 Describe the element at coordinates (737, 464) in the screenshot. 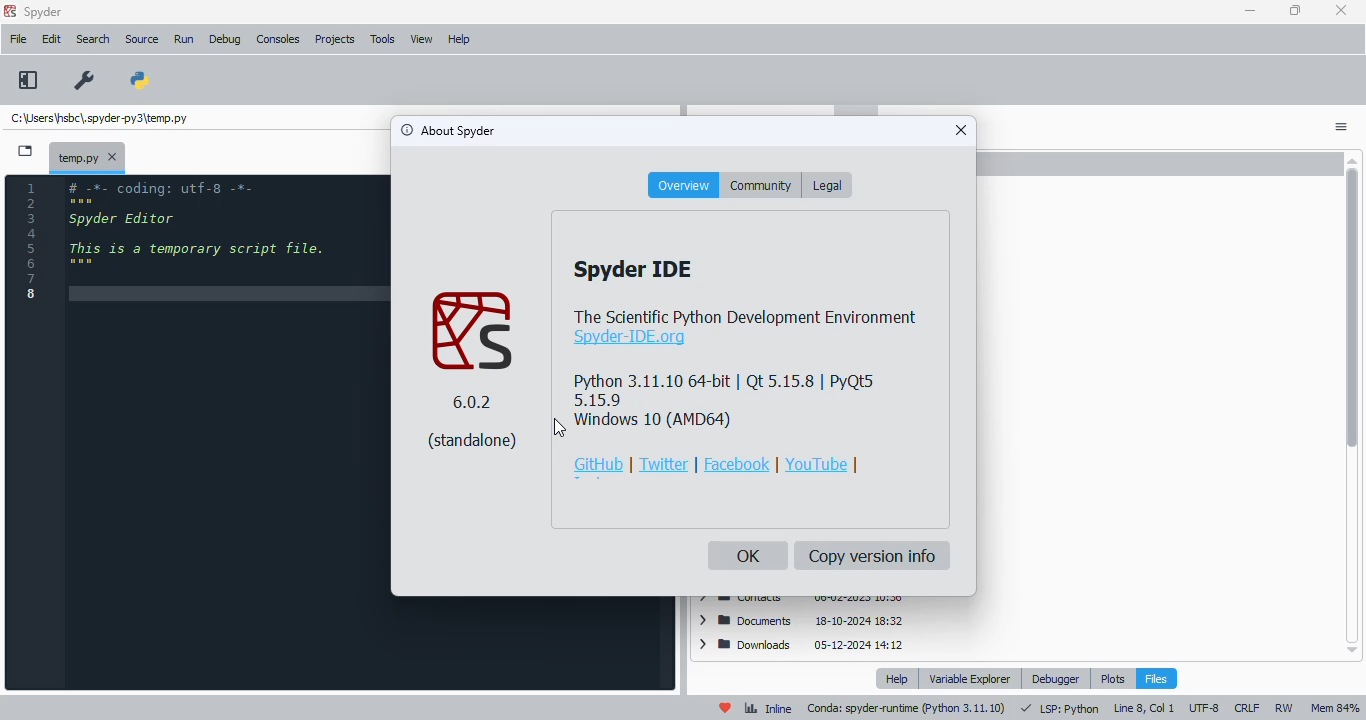

I see `facebook` at that location.